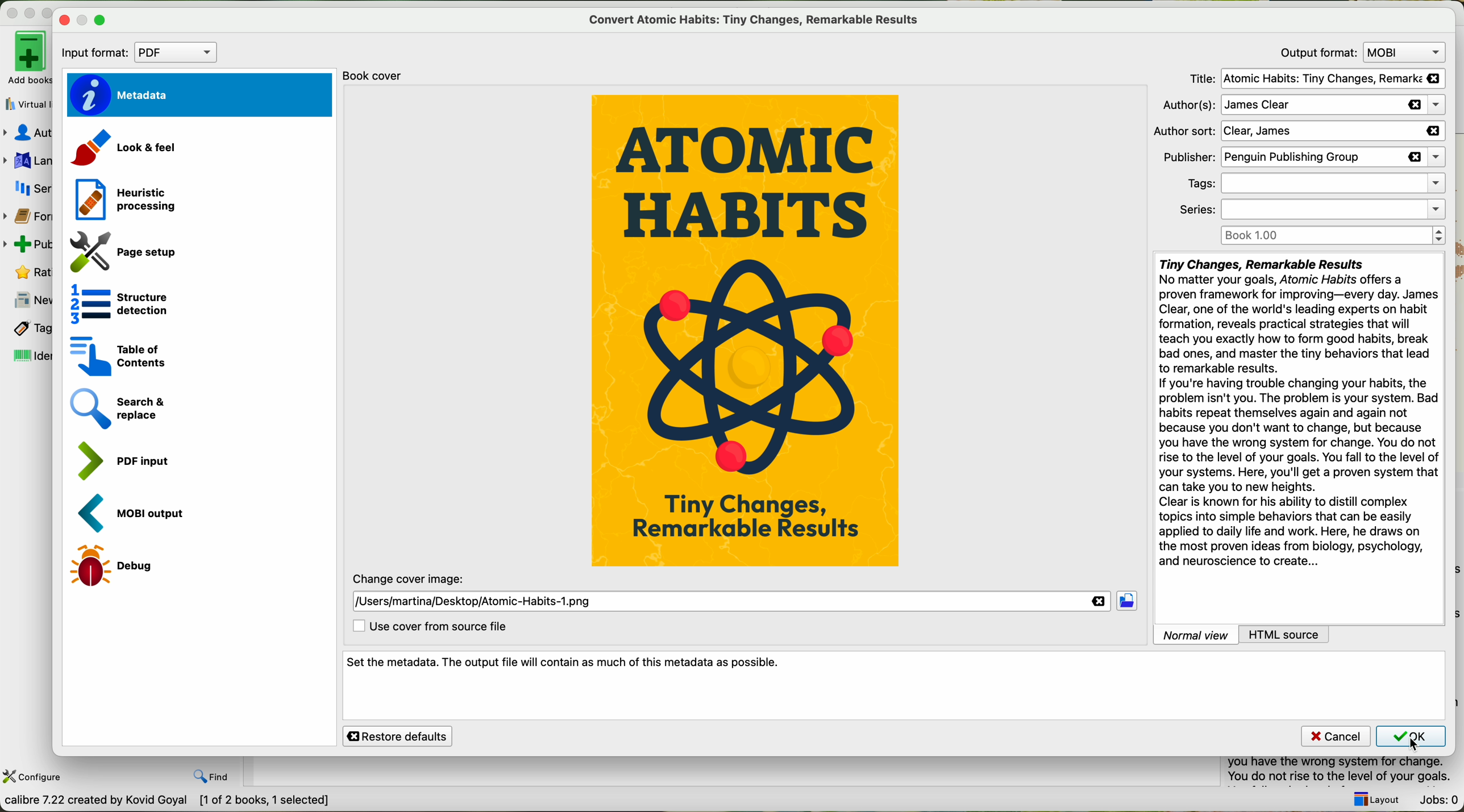 Image resolution: width=1464 pixels, height=812 pixels. I want to click on maximize, so click(101, 20).